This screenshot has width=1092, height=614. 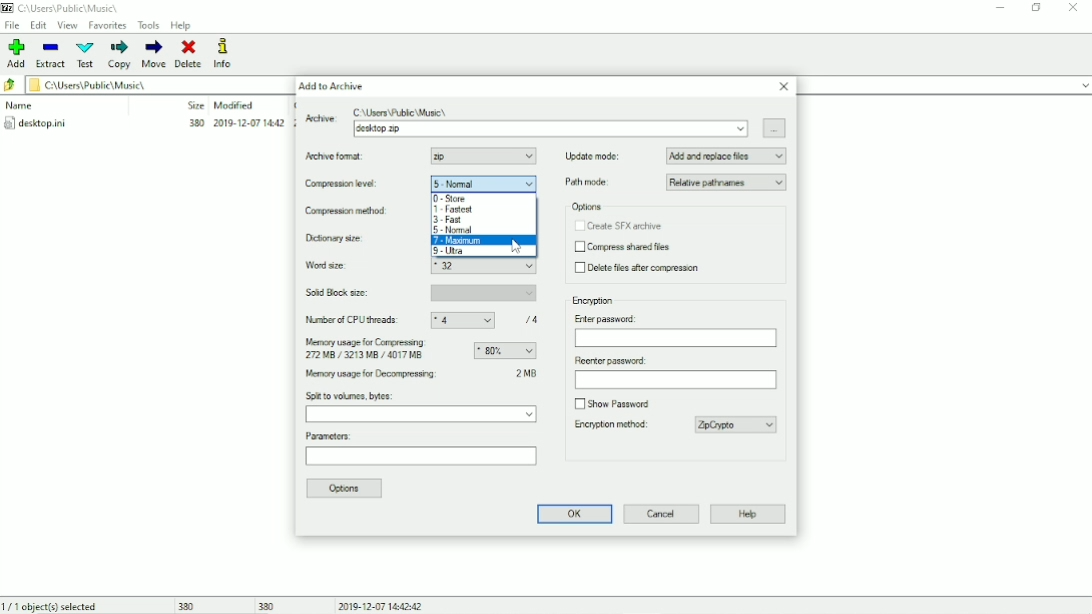 I want to click on Create SFX archive, so click(x=618, y=226).